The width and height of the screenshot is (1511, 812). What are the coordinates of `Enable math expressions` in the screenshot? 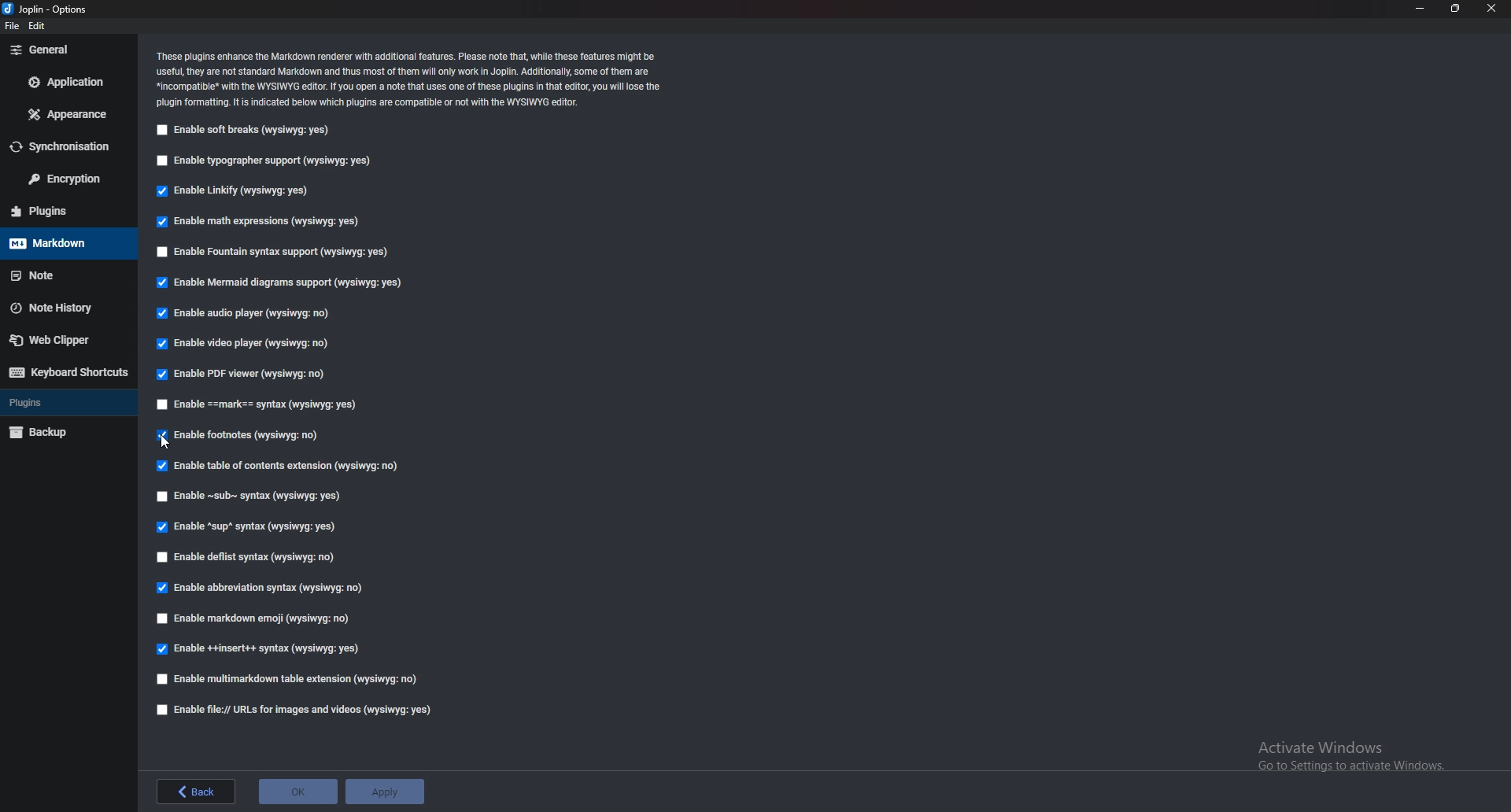 It's located at (257, 220).